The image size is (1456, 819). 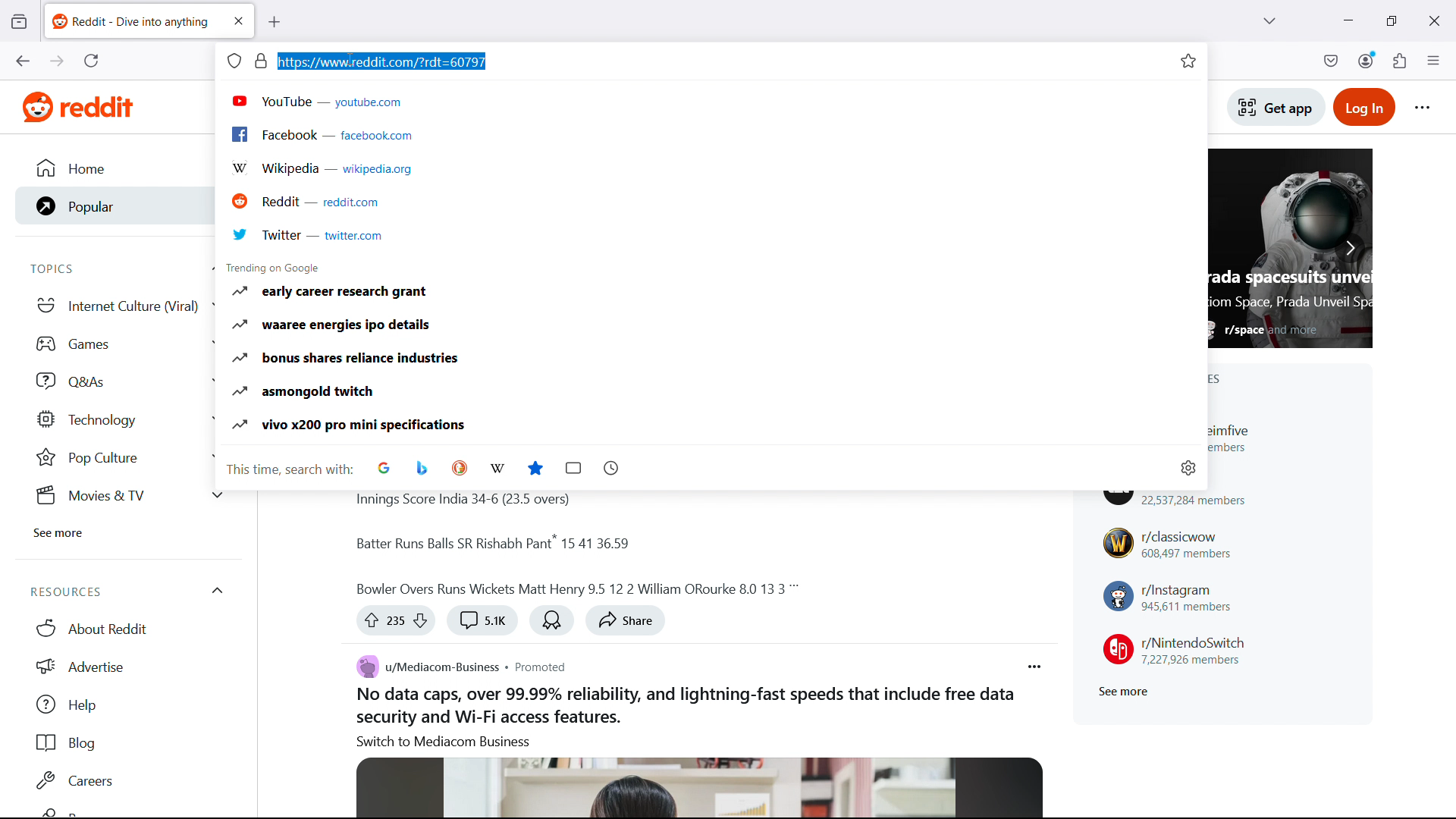 I want to click on Body of the post, so click(x=673, y=547).